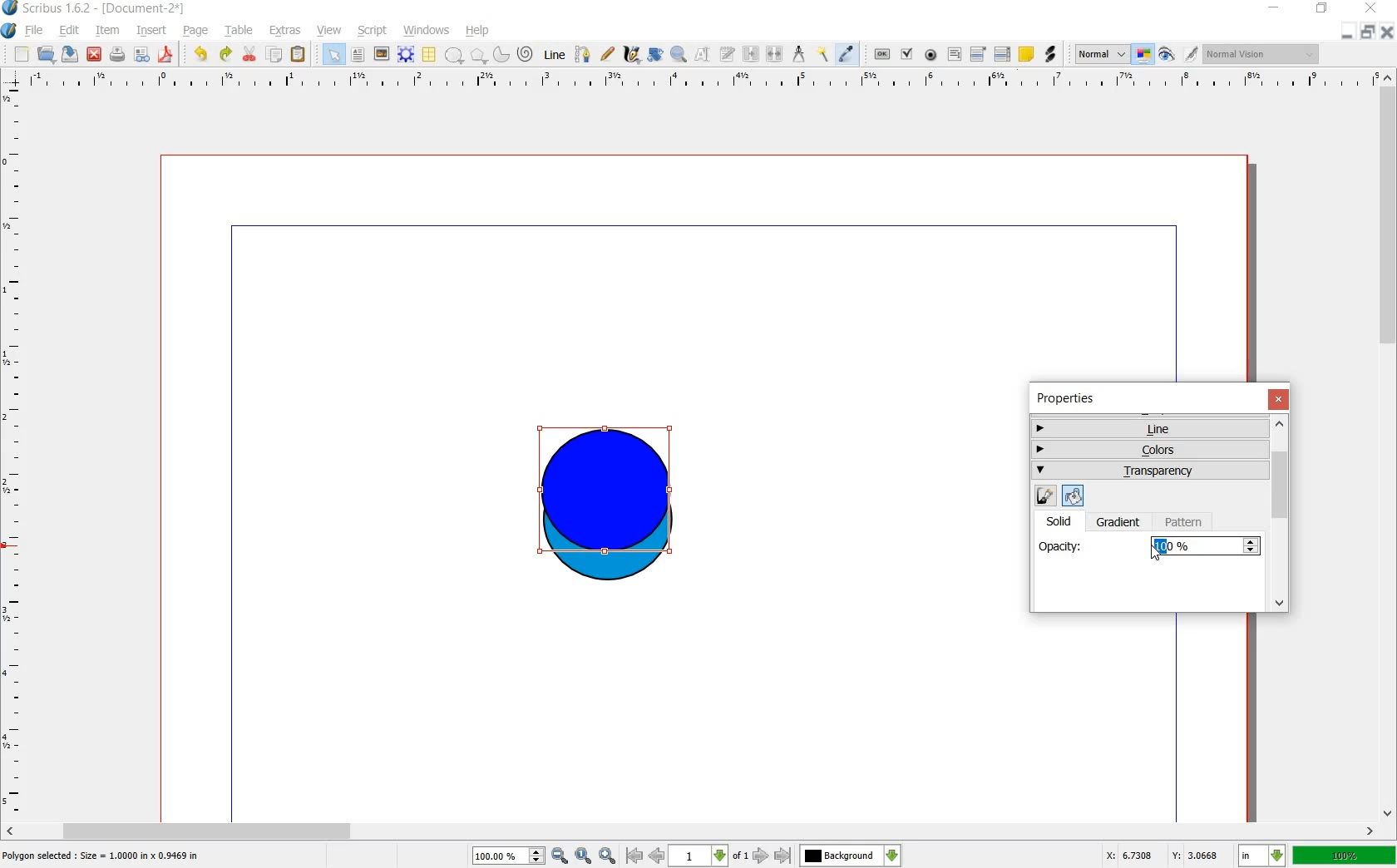  I want to click on measurement, so click(800, 55).